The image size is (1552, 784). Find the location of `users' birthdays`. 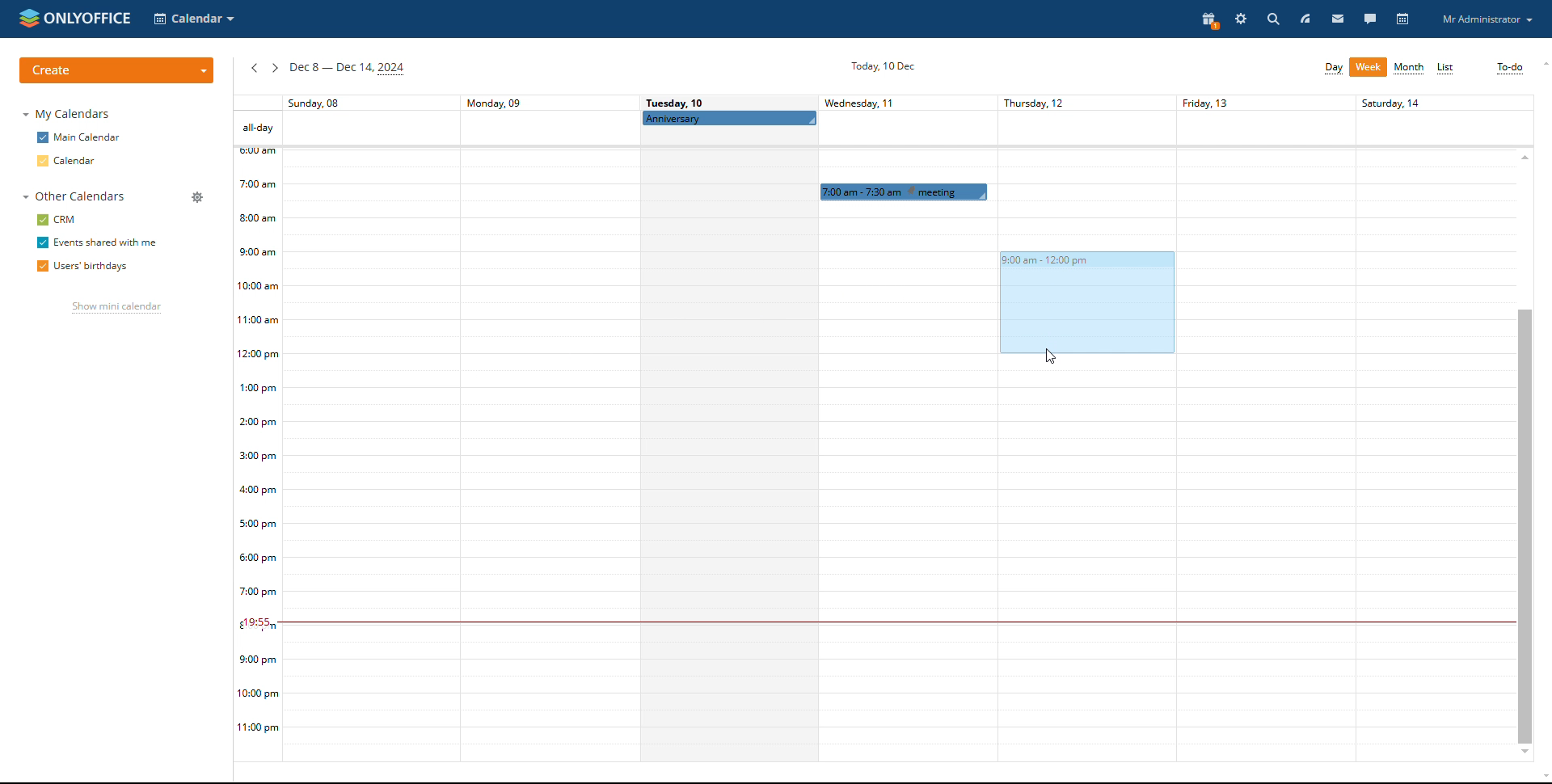

users' birthdays is located at coordinates (97, 268).